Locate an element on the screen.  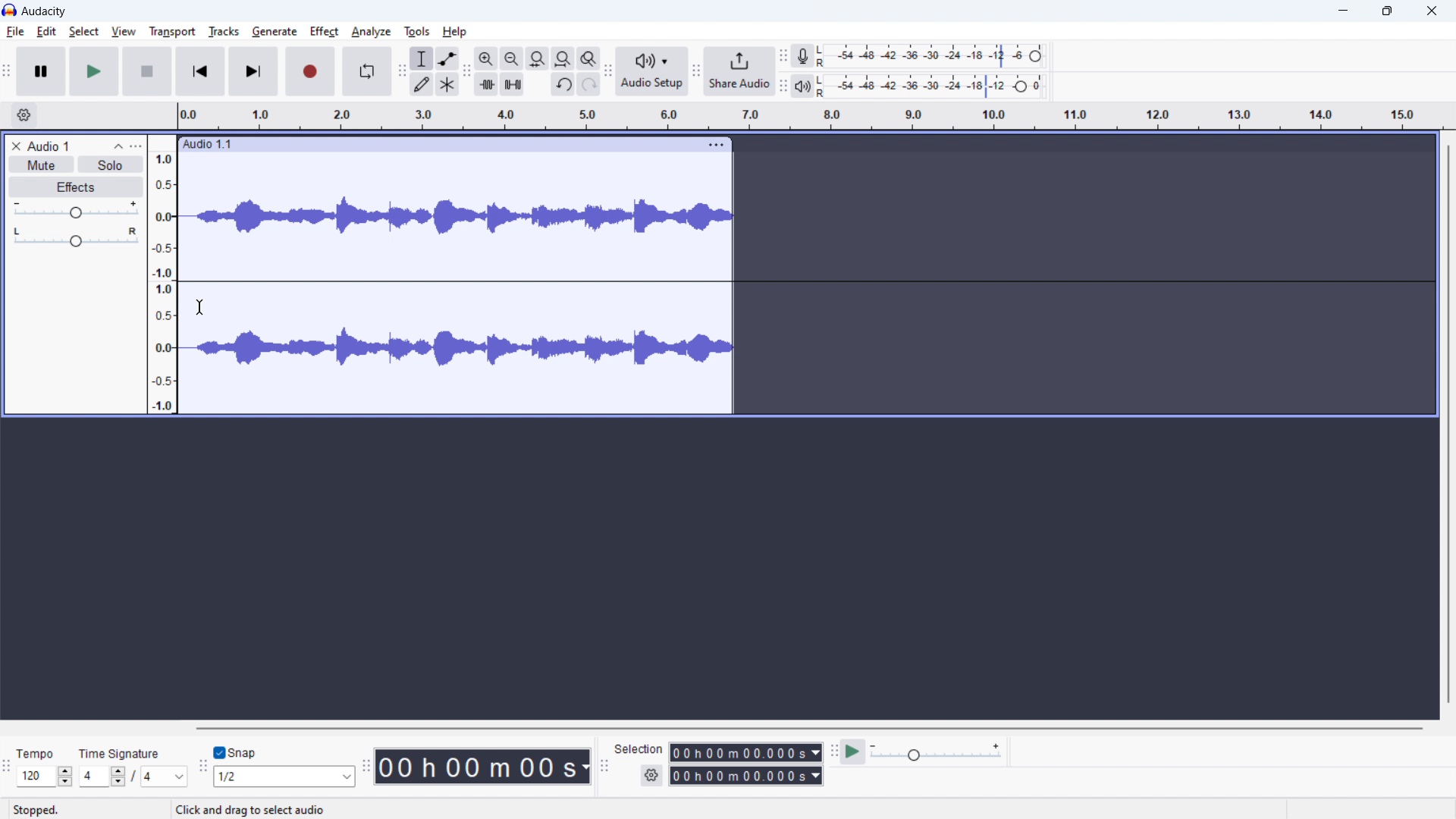
track options is located at coordinates (717, 145).